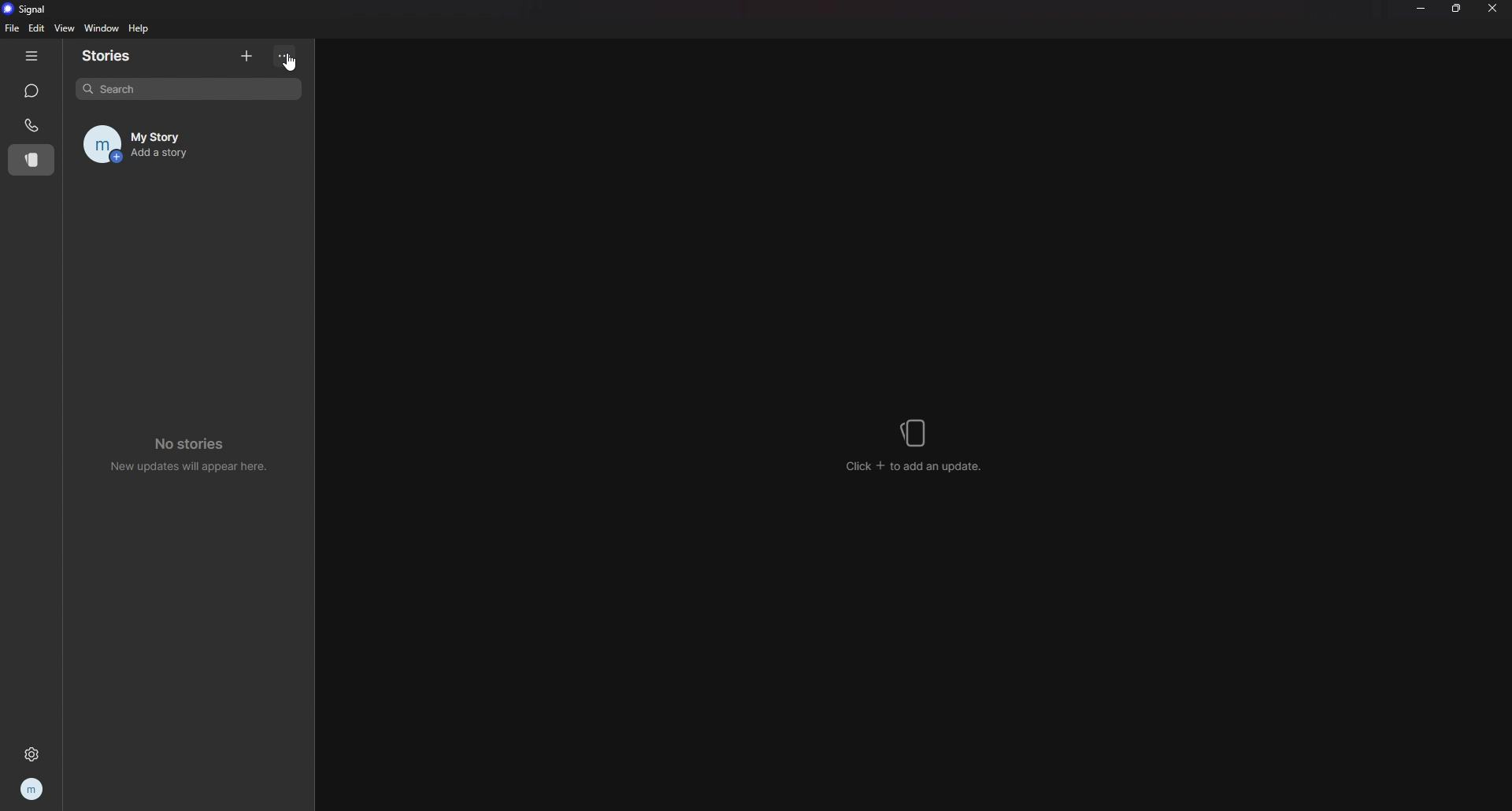 The height and width of the screenshot is (811, 1512). What do you see at coordinates (32, 125) in the screenshot?
I see `calls` at bounding box center [32, 125].